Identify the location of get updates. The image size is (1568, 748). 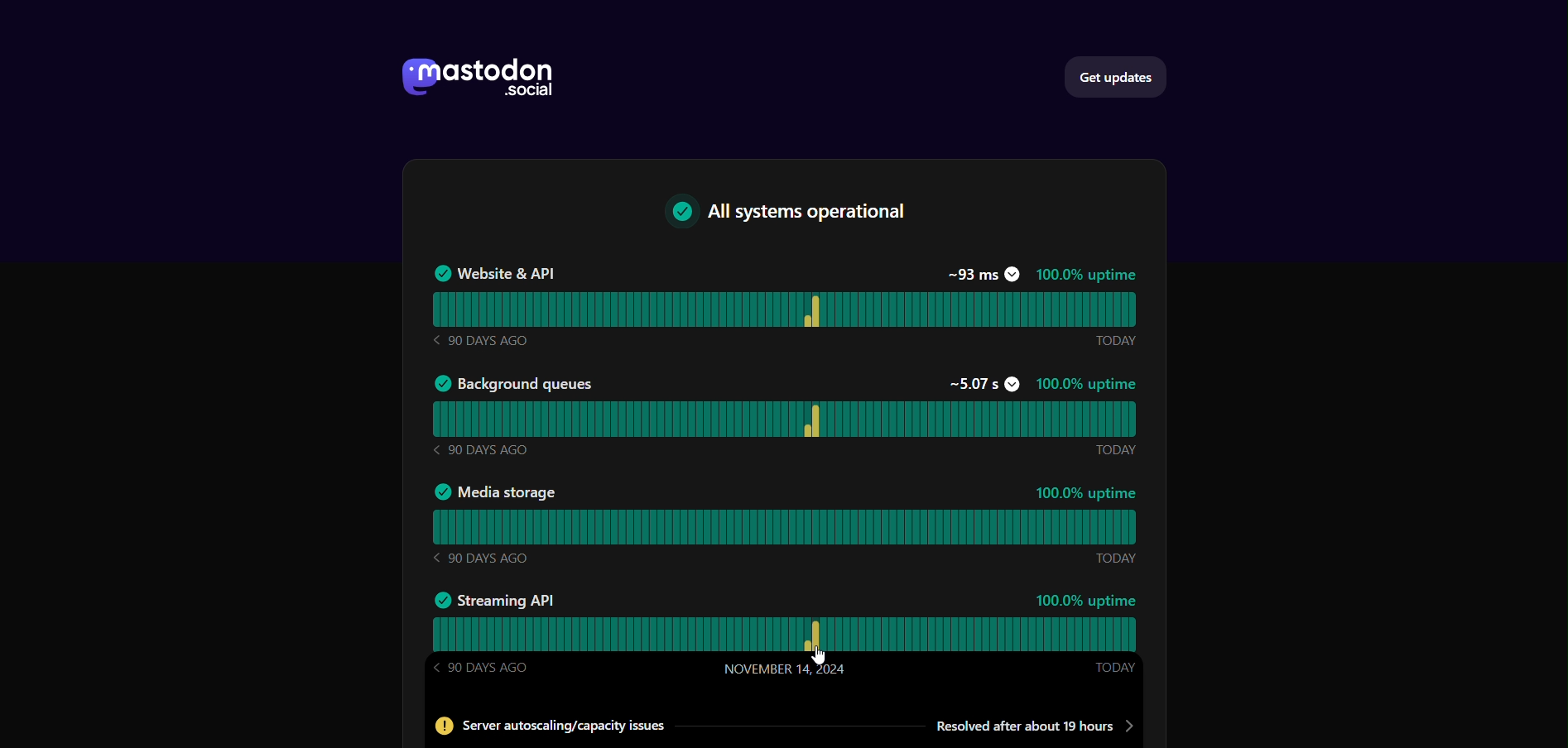
(1122, 75).